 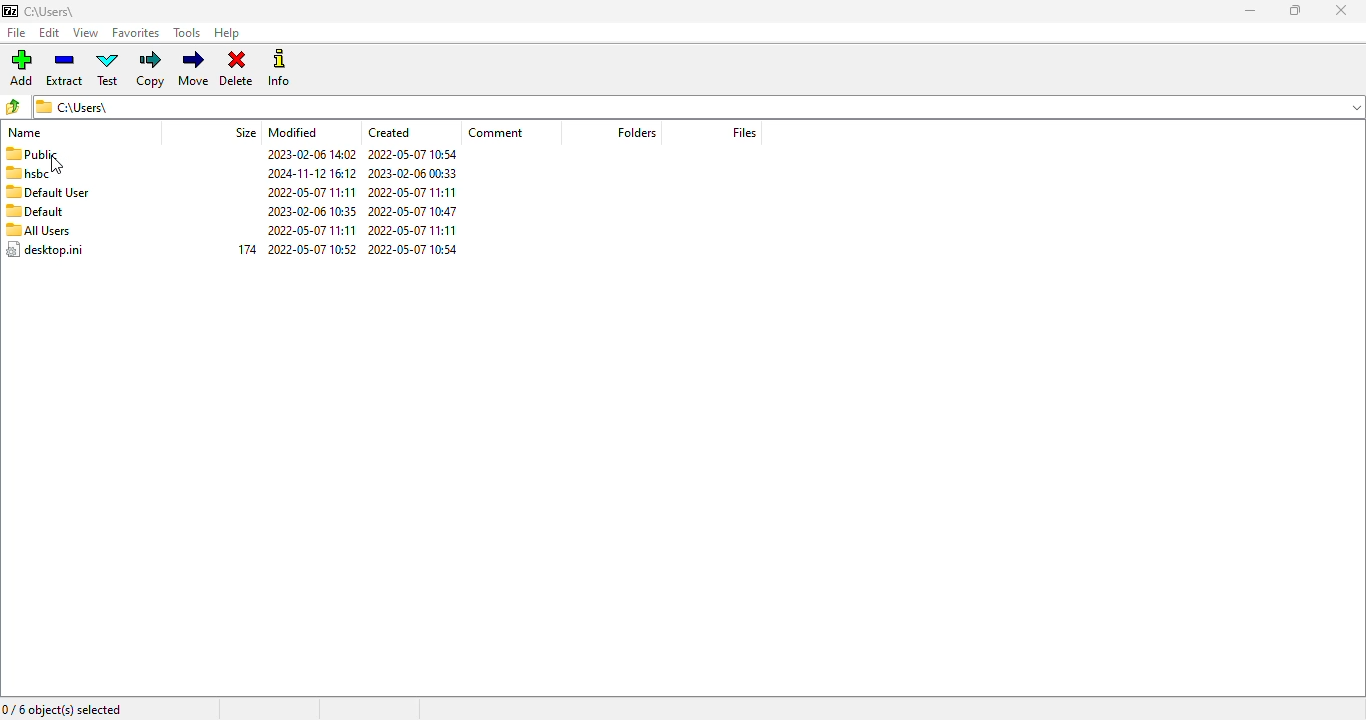 I want to click on c:\users\, so click(x=64, y=13).